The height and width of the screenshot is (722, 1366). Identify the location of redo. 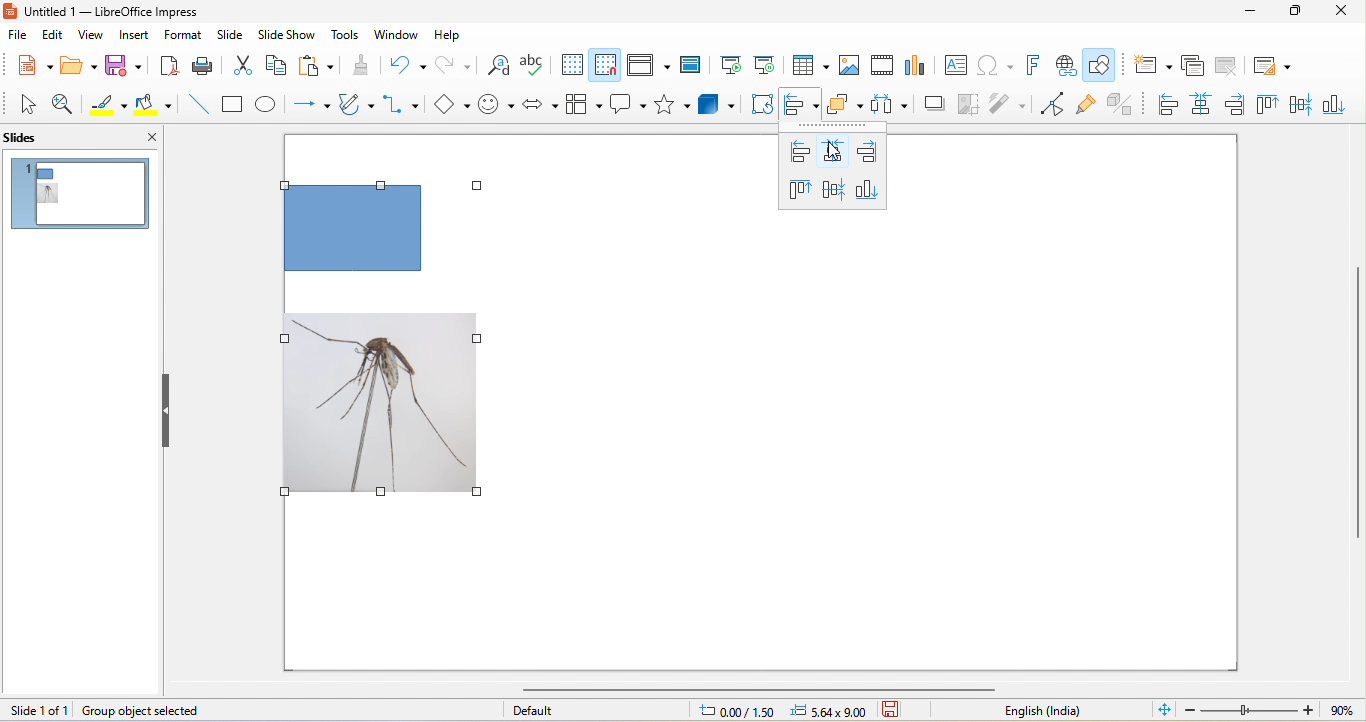
(456, 64).